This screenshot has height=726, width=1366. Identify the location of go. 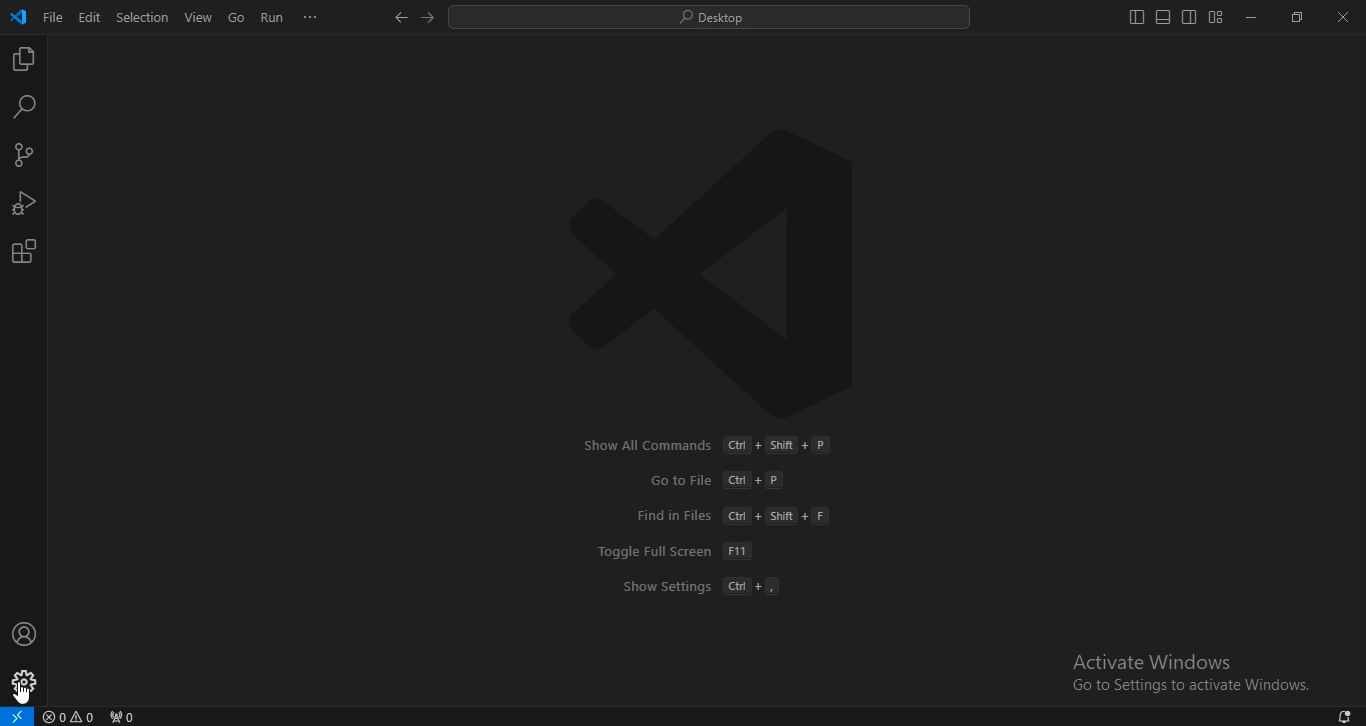
(236, 19).